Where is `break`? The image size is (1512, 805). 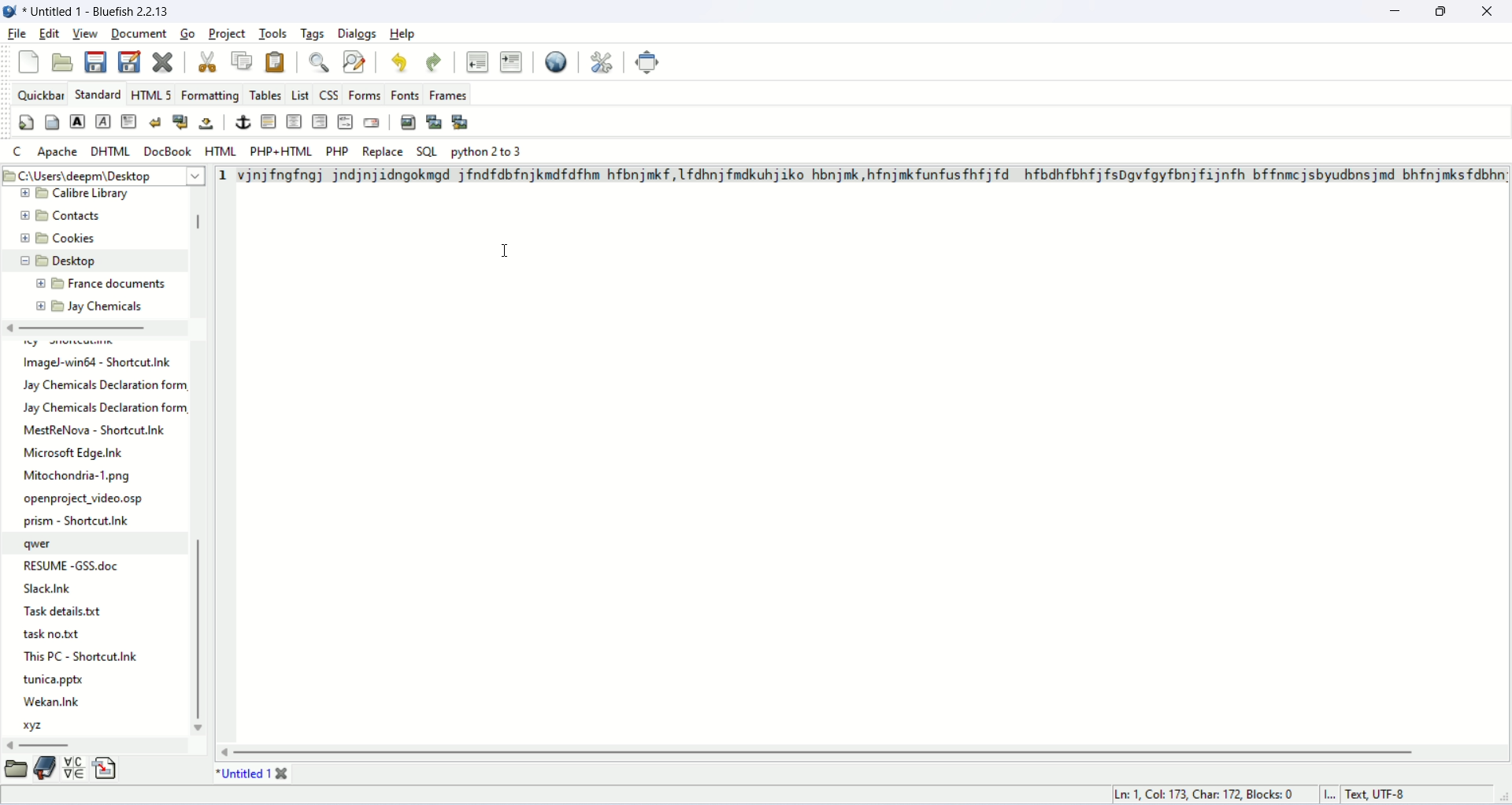
break is located at coordinates (154, 122).